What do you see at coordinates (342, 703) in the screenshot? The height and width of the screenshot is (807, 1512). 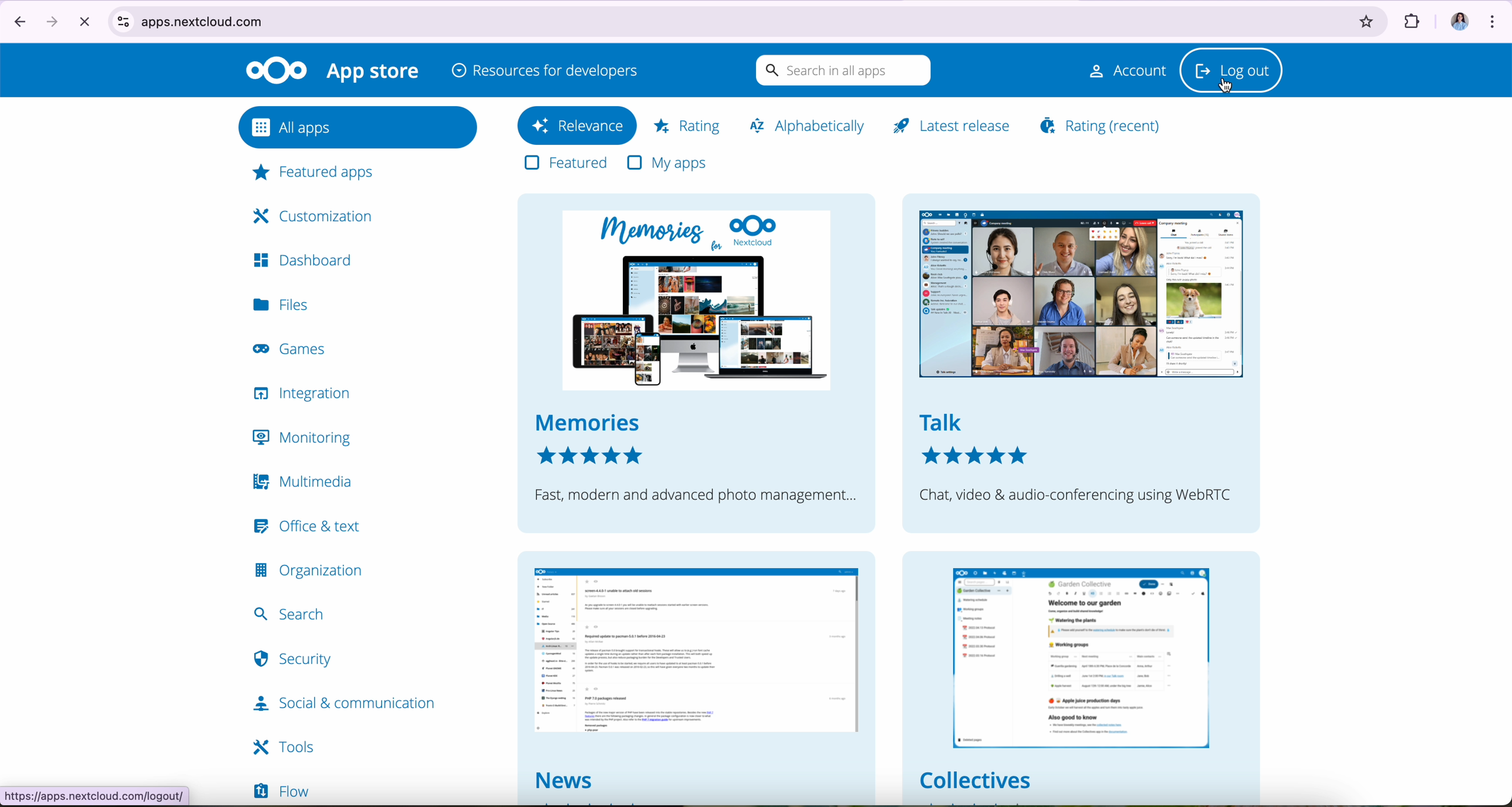 I see `social & communication` at bounding box center [342, 703].